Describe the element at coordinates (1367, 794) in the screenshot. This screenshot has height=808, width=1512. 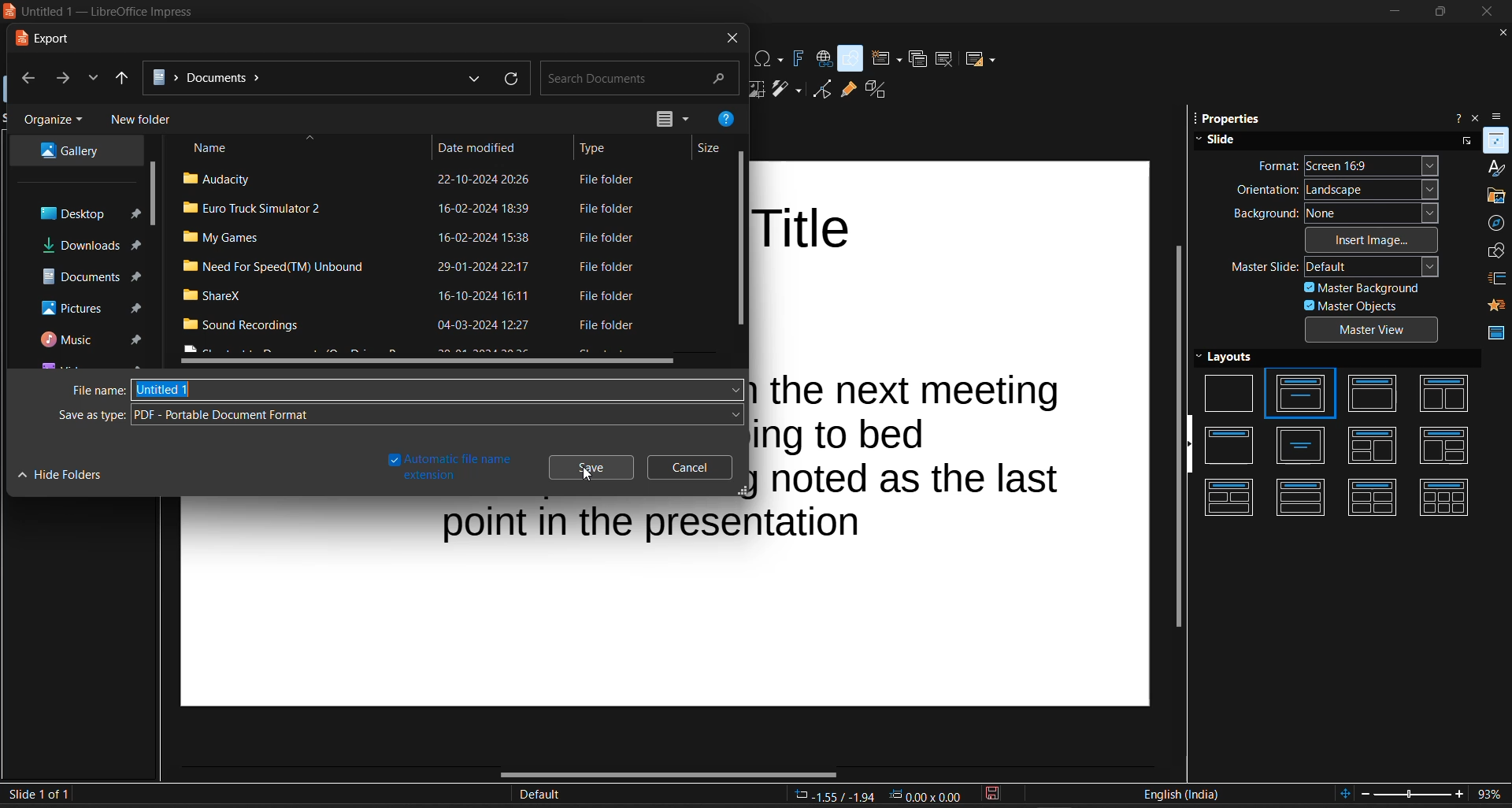
I see `zoom out` at that location.